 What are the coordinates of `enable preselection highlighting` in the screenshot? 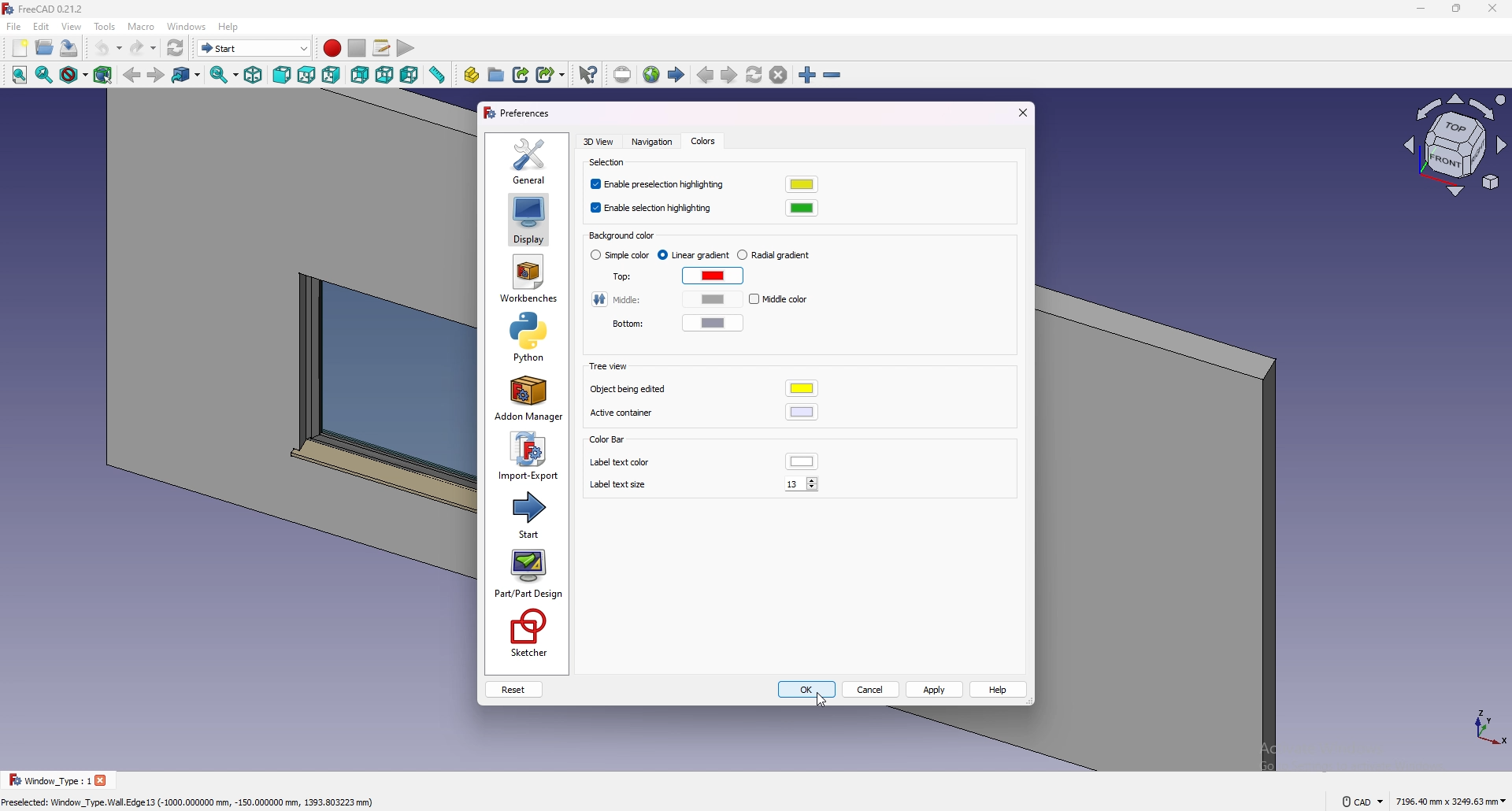 It's located at (661, 185).